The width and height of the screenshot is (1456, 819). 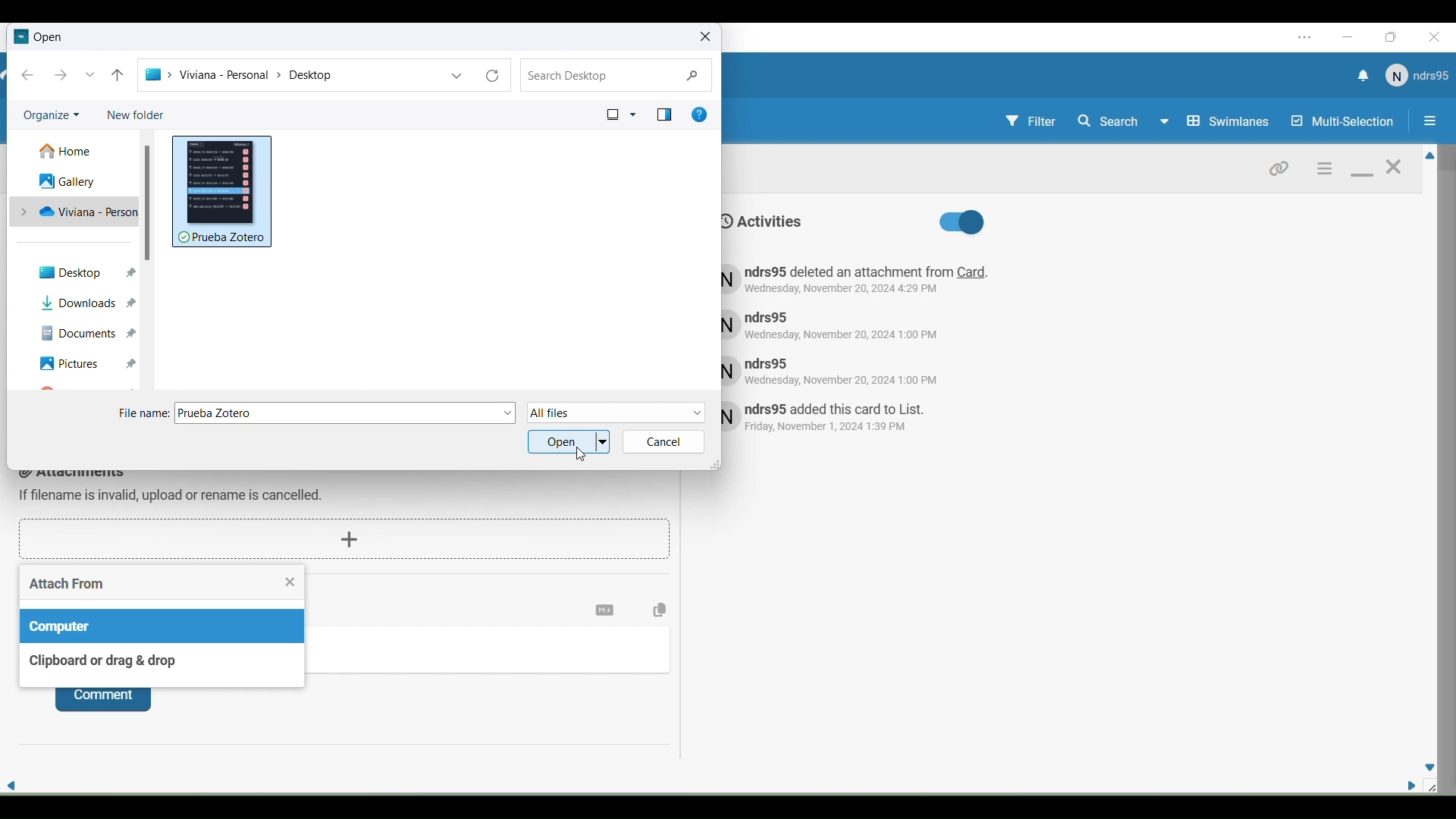 What do you see at coordinates (705, 36) in the screenshot?
I see `Close` at bounding box center [705, 36].